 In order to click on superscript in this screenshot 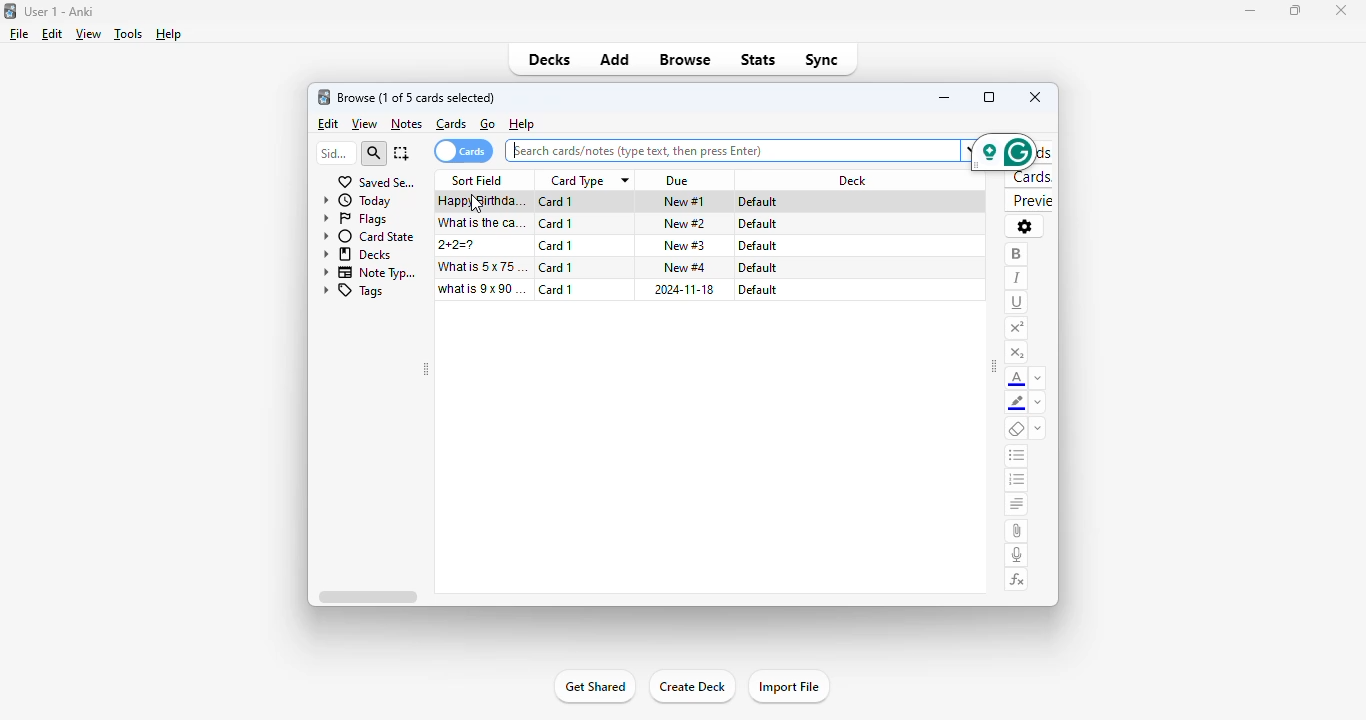, I will do `click(1017, 329)`.